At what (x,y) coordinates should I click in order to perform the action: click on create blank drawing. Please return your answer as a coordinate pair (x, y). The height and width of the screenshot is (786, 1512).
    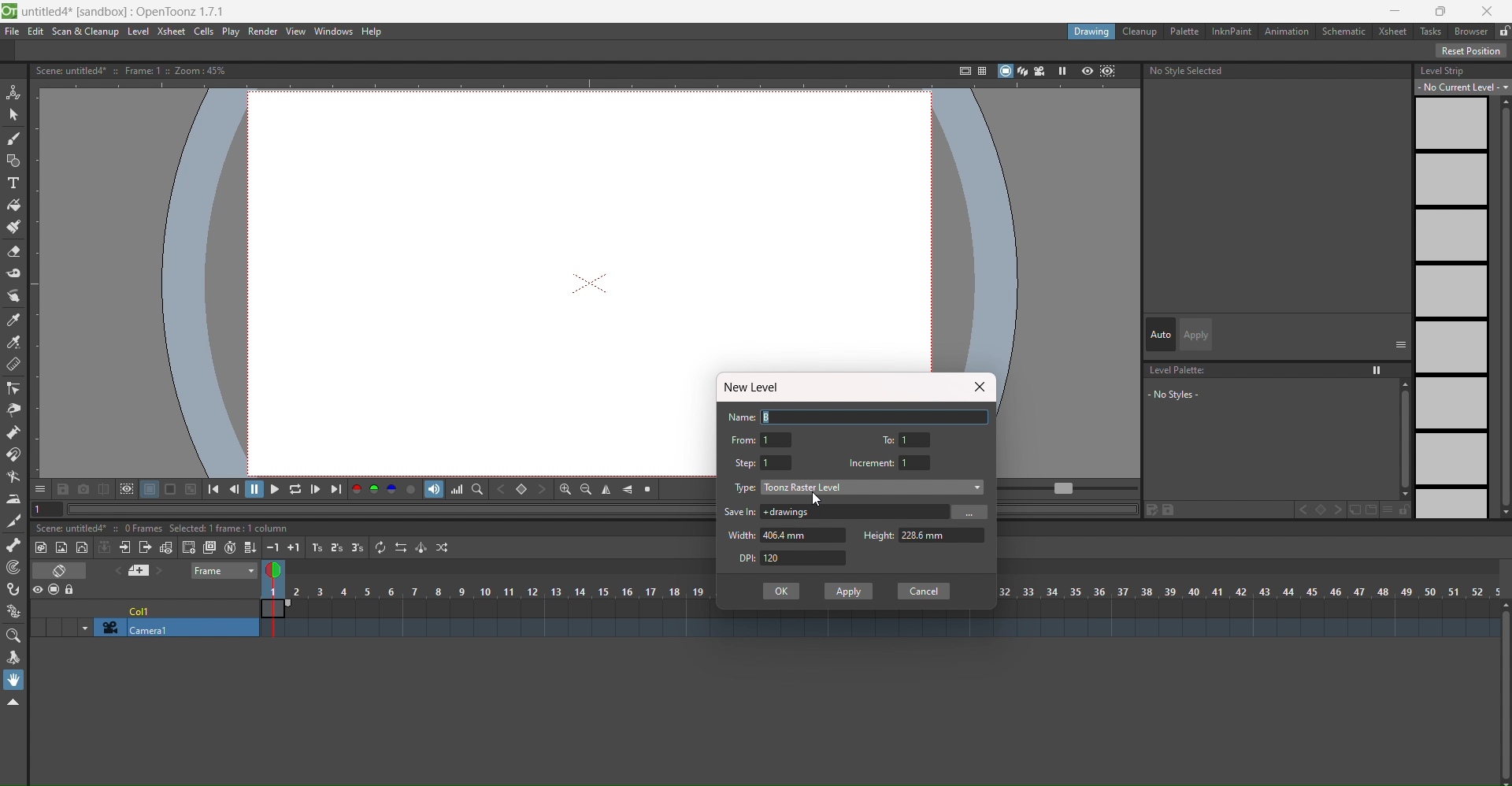
    Looking at the image, I should click on (188, 547).